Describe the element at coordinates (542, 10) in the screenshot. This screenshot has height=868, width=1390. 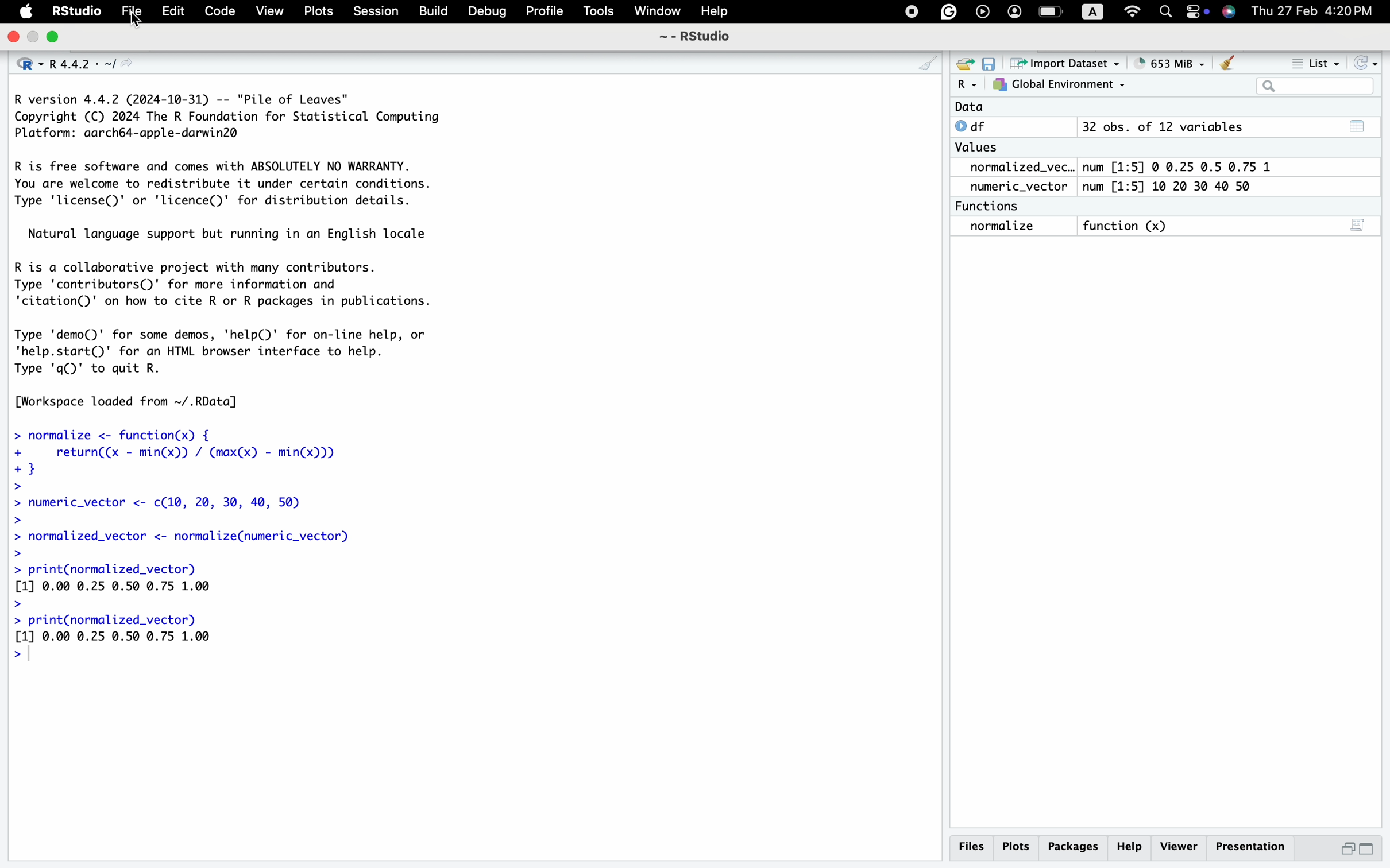
I see `Profile` at that location.